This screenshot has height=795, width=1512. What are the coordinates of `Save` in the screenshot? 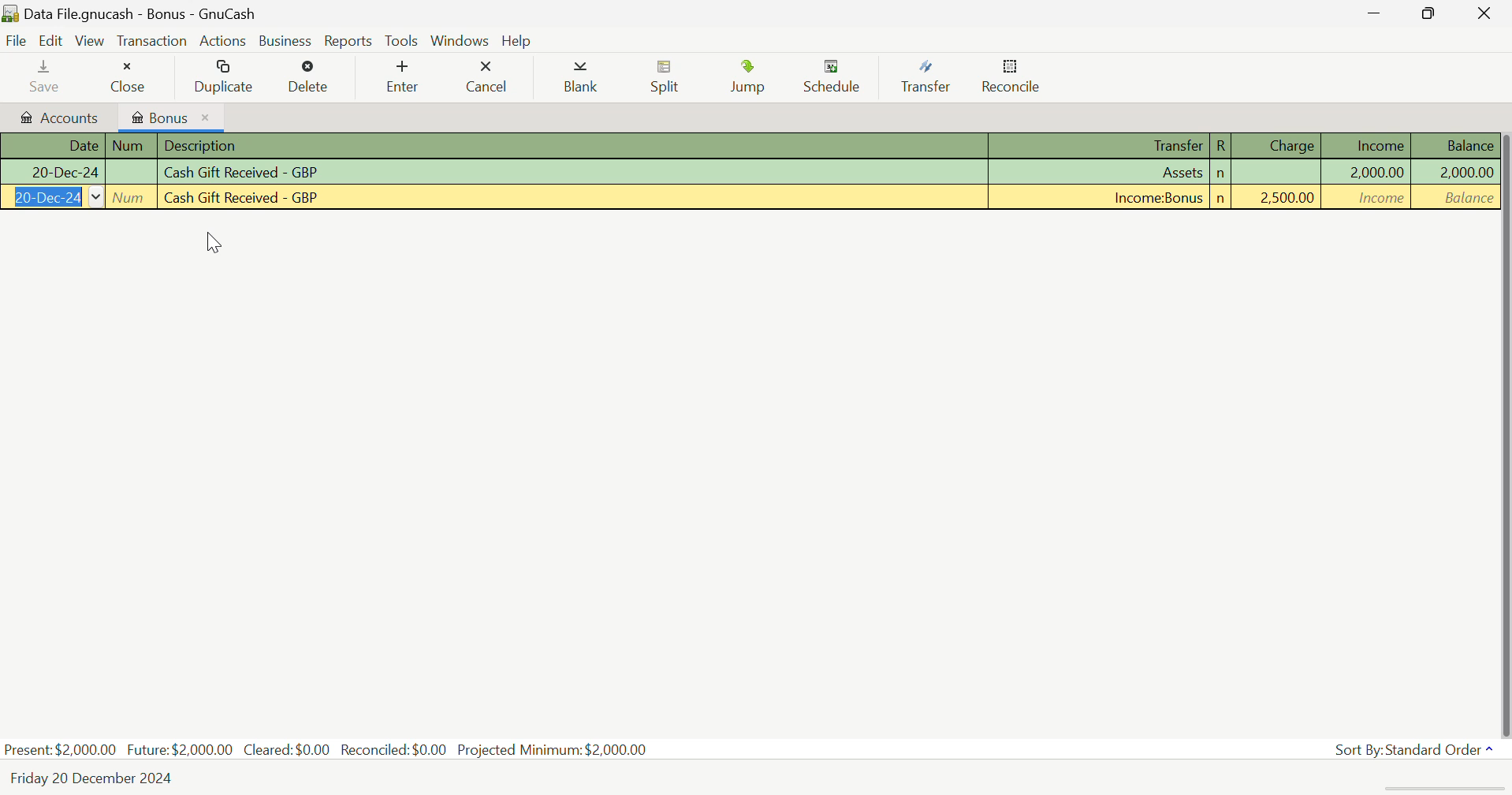 It's located at (46, 75).